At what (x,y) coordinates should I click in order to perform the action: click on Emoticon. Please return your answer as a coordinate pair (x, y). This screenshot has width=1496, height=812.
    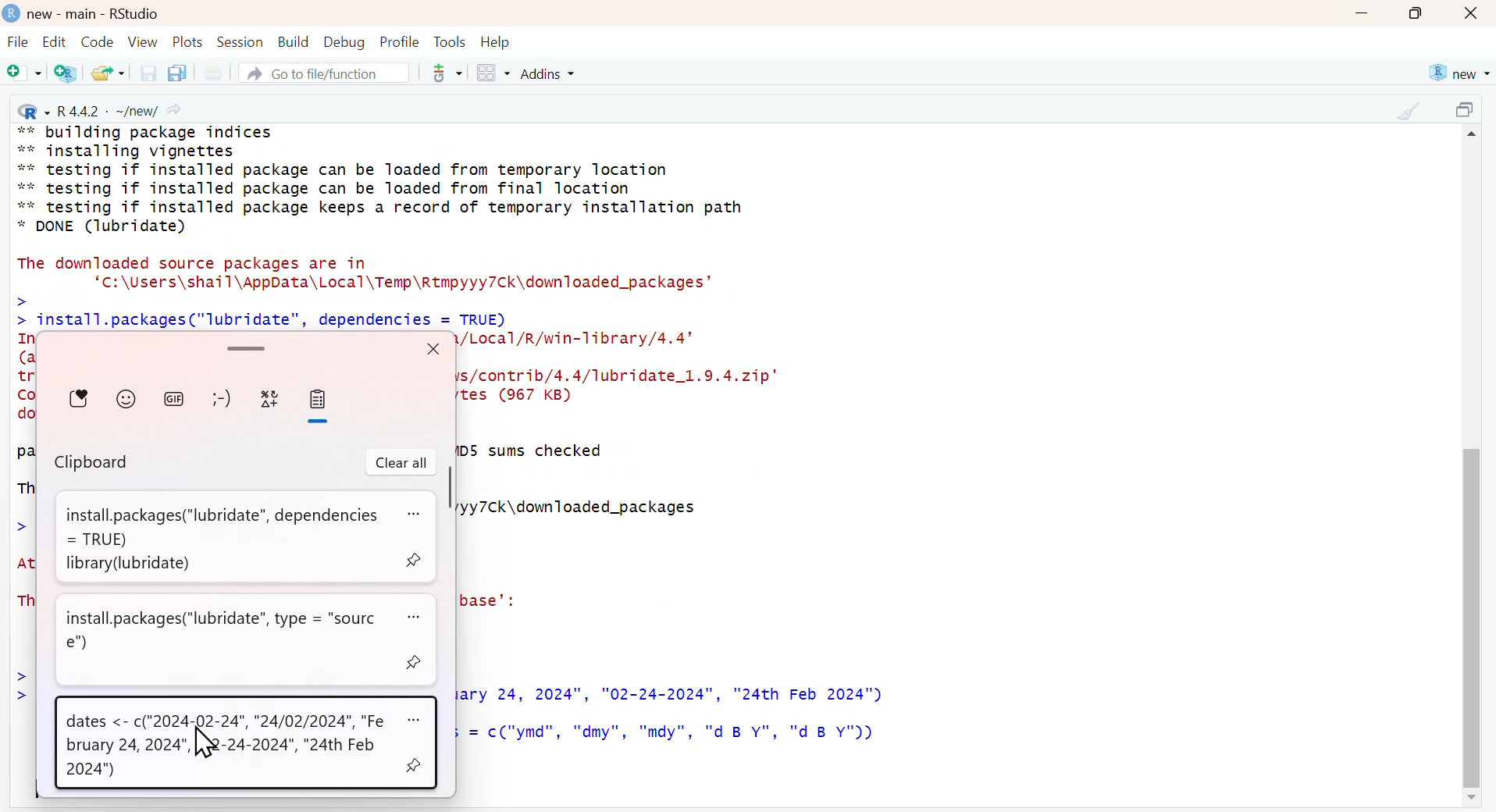
    Looking at the image, I should click on (220, 399).